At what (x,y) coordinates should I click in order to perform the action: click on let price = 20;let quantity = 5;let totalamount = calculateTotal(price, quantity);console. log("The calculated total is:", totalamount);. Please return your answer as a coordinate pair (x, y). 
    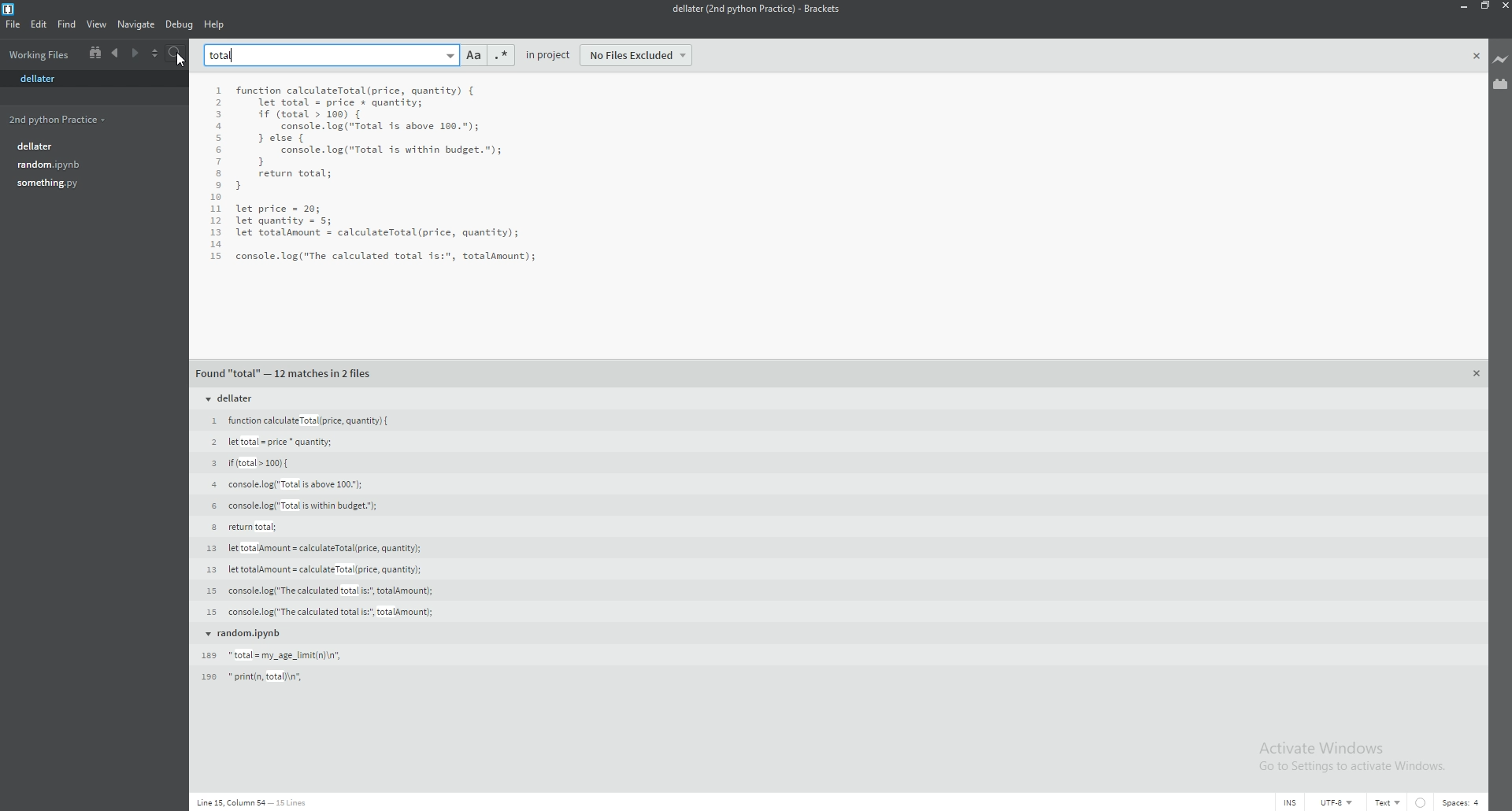
    Looking at the image, I should click on (385, 231).